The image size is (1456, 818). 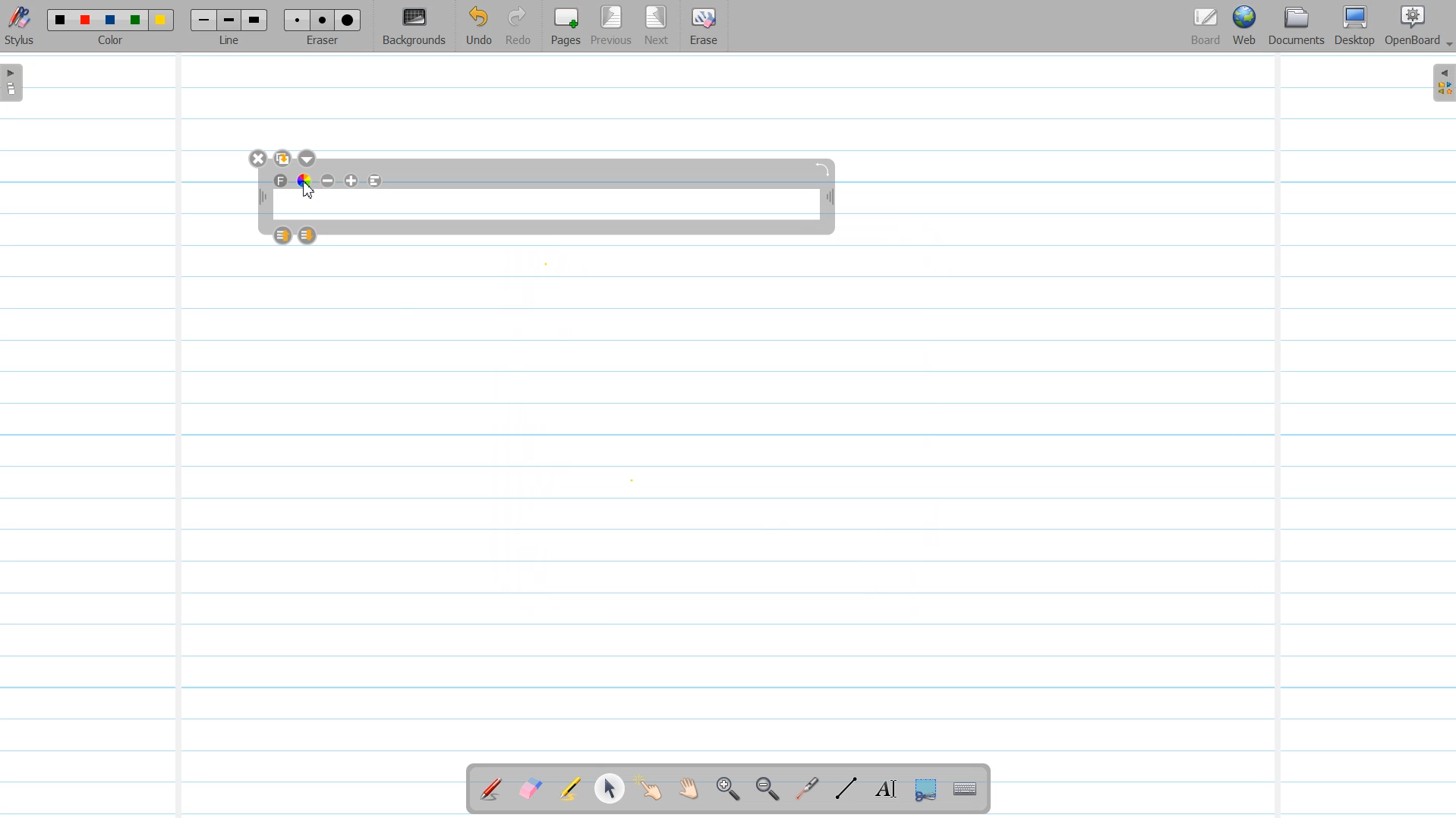 What do you see at coordinates (846, 789) in the screenshot?
I see `Draw Lines` at bounding box center [846, 789].